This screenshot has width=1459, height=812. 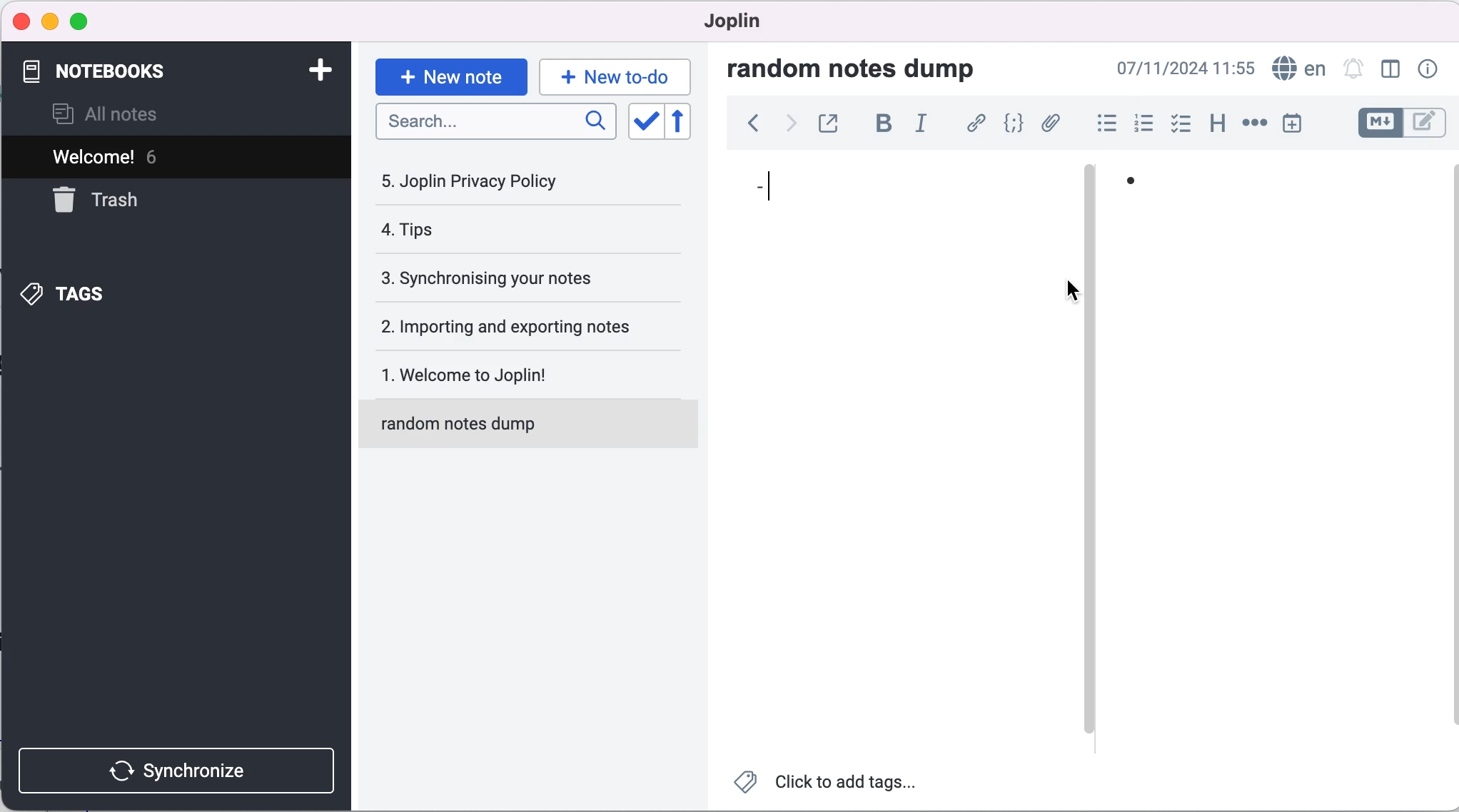 What do you see at coordinates (1353, 70) in the screenshot?
I see `set alarm` at bounding box center [1353, 70].